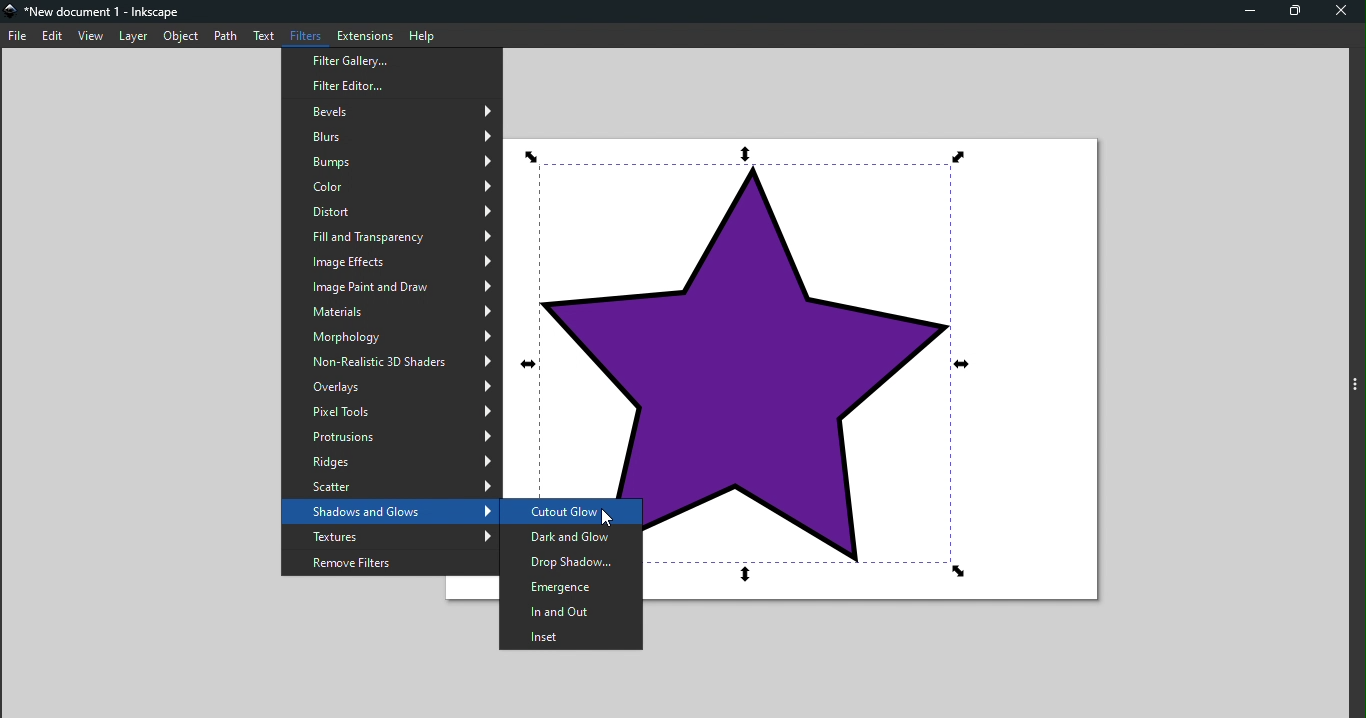 The width and height of the screenshot is (1366, 718). What do you see at coordinates (608, 514) in the screenshot?
I see `Cursor` at bounding box center [608, 514].